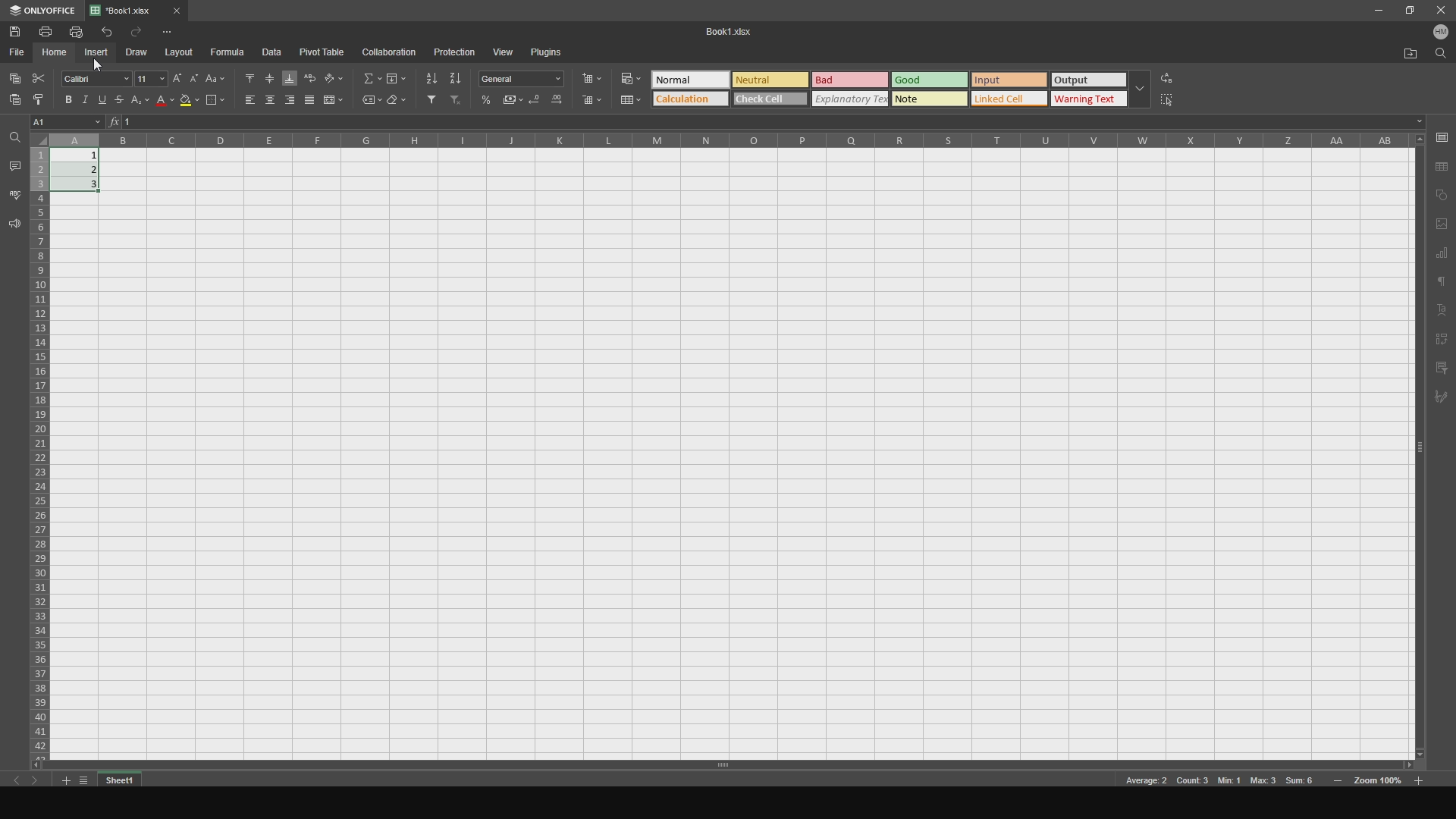  Describe the element at coordinates (20, 31) in the screenshot. I see `save` at that location.